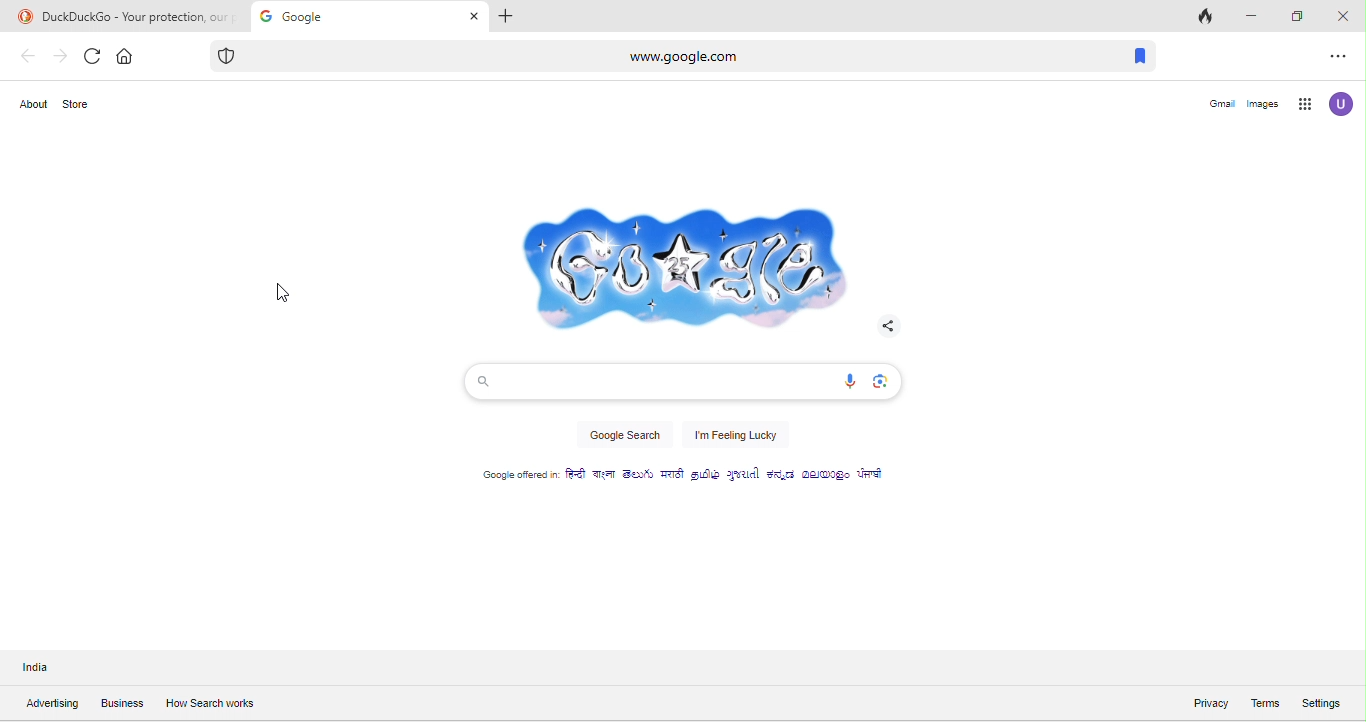 This screenshot has width=1366, height=722. What do you see at coordinates (1248, 16) in the screenshot?
I see `minimize` at bounding box center [1248, 16].